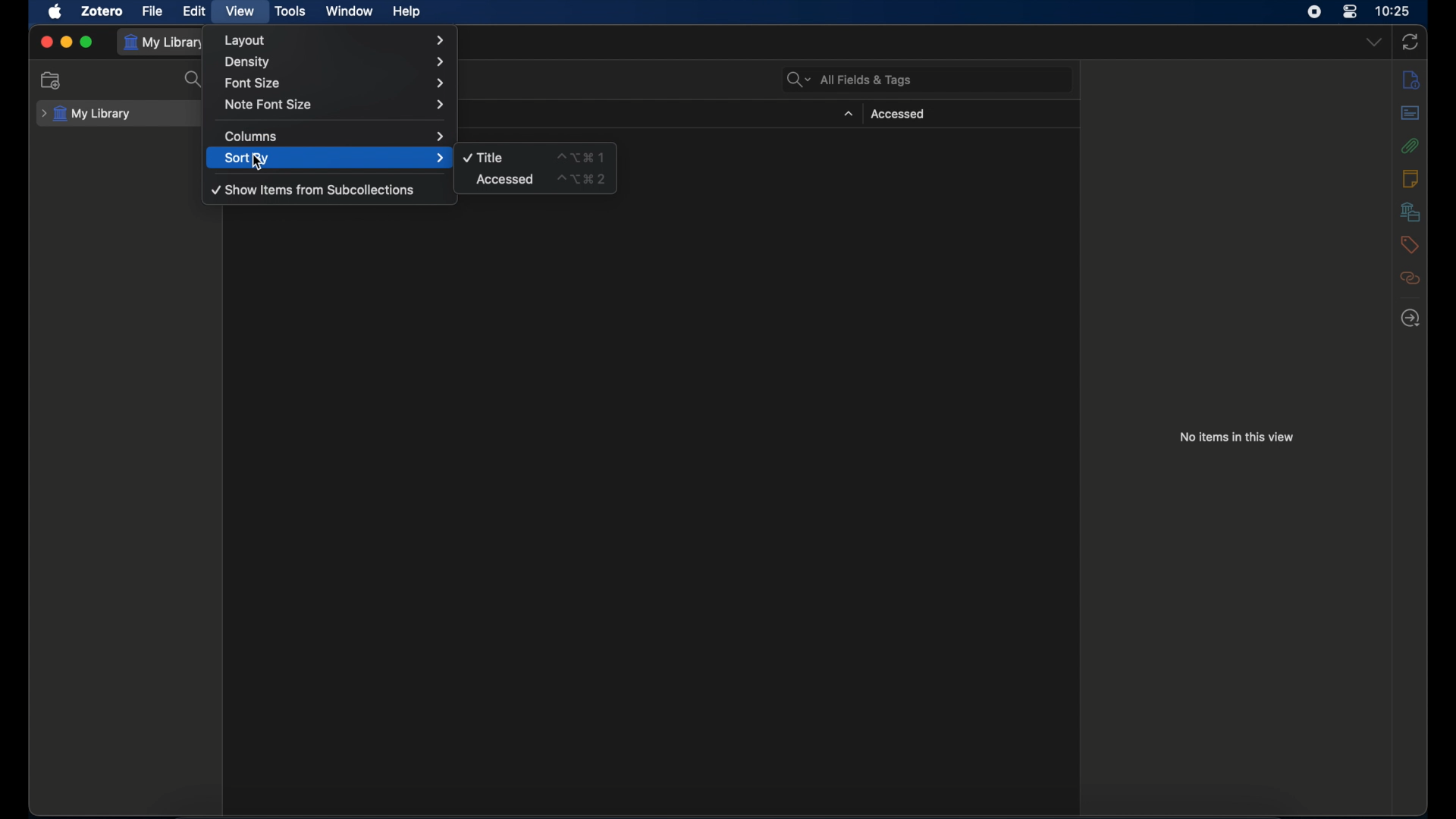 This screenshot has width=1456, height=819. I want to click on zotero, so click(102, 11).